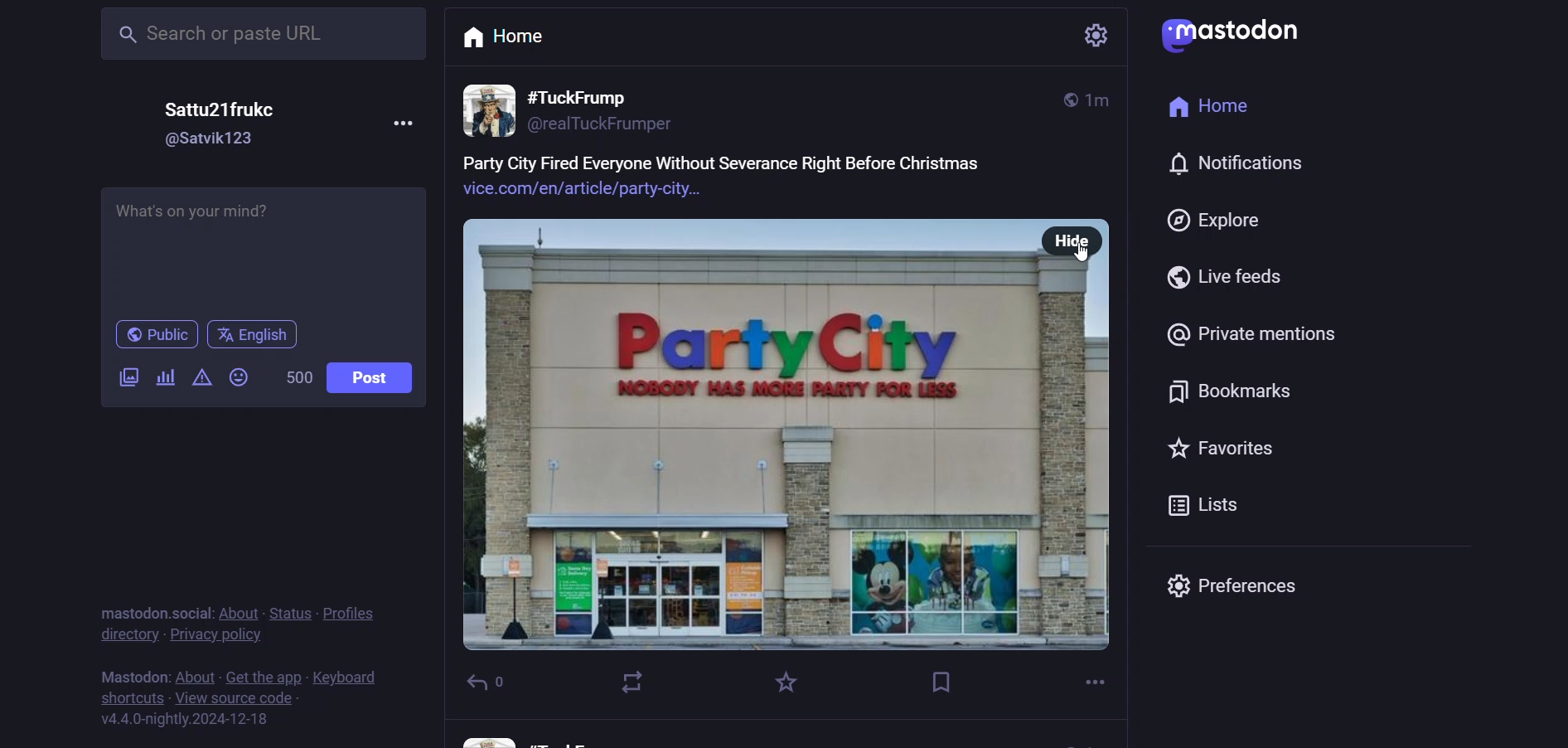 Image resolution: width=1568 pixels, height=748 pixels. I want to click on add a image, so click(127, 374).